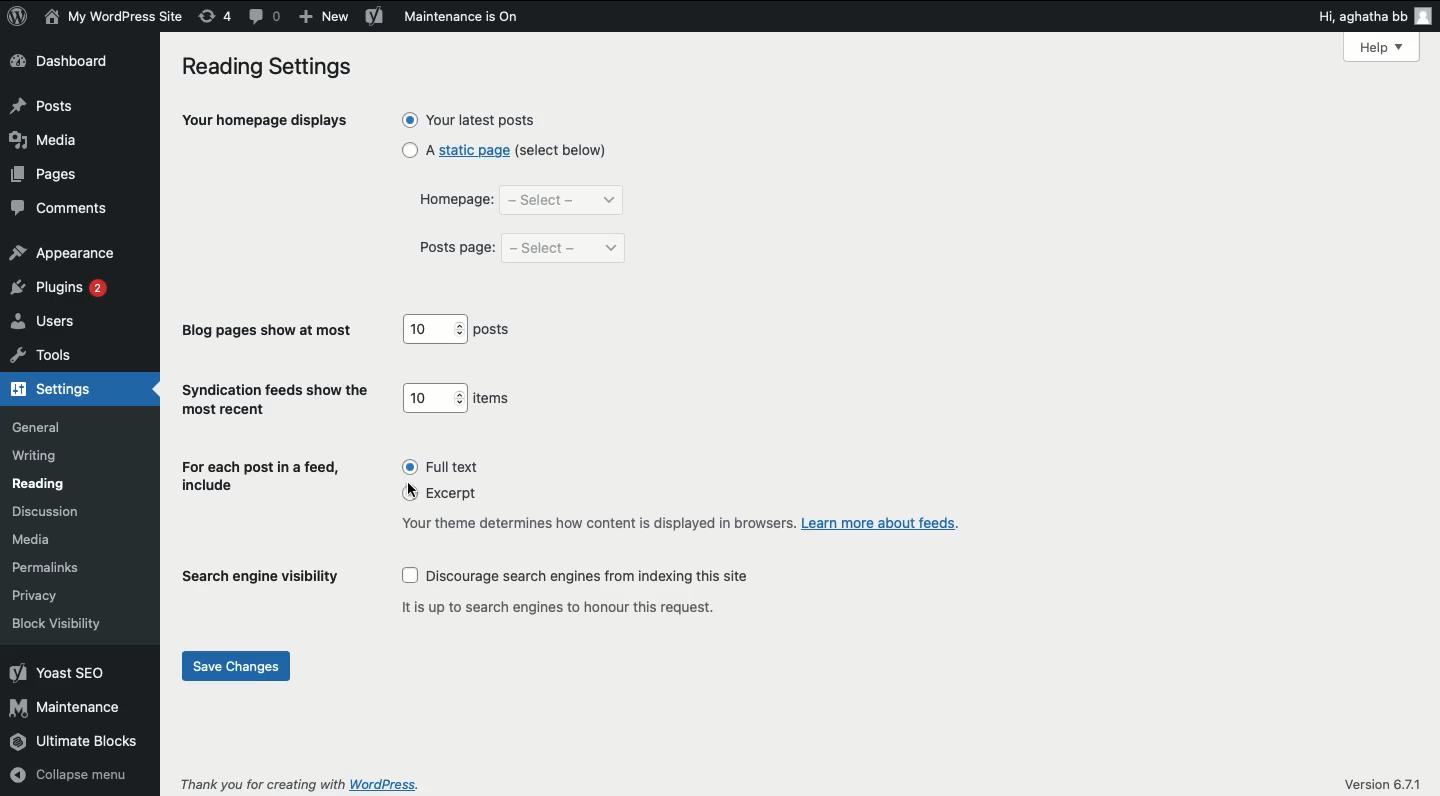 The width and height of the screenshot is (1440, 796). I want to click on a static page (select below), so click(507, 149).